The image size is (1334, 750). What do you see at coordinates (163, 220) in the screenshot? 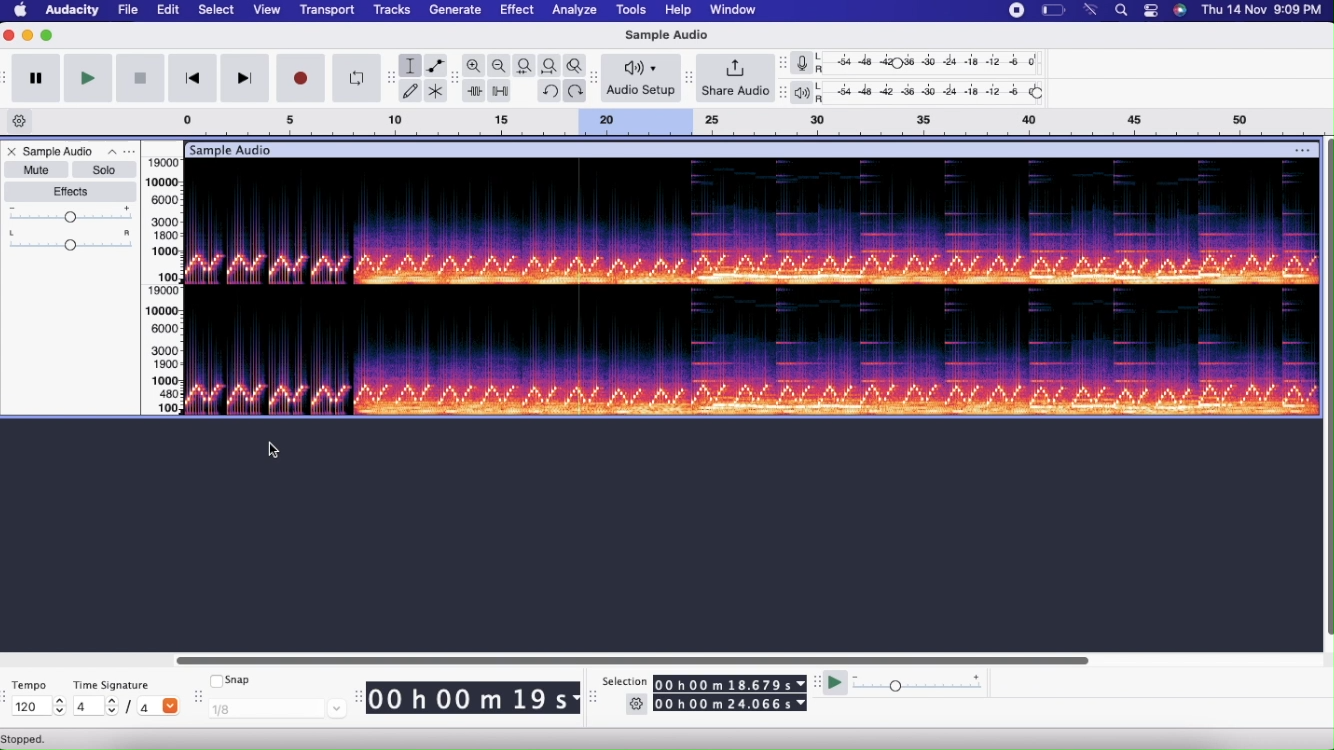
I see `Level Slider` at bounding box center [163, 220].